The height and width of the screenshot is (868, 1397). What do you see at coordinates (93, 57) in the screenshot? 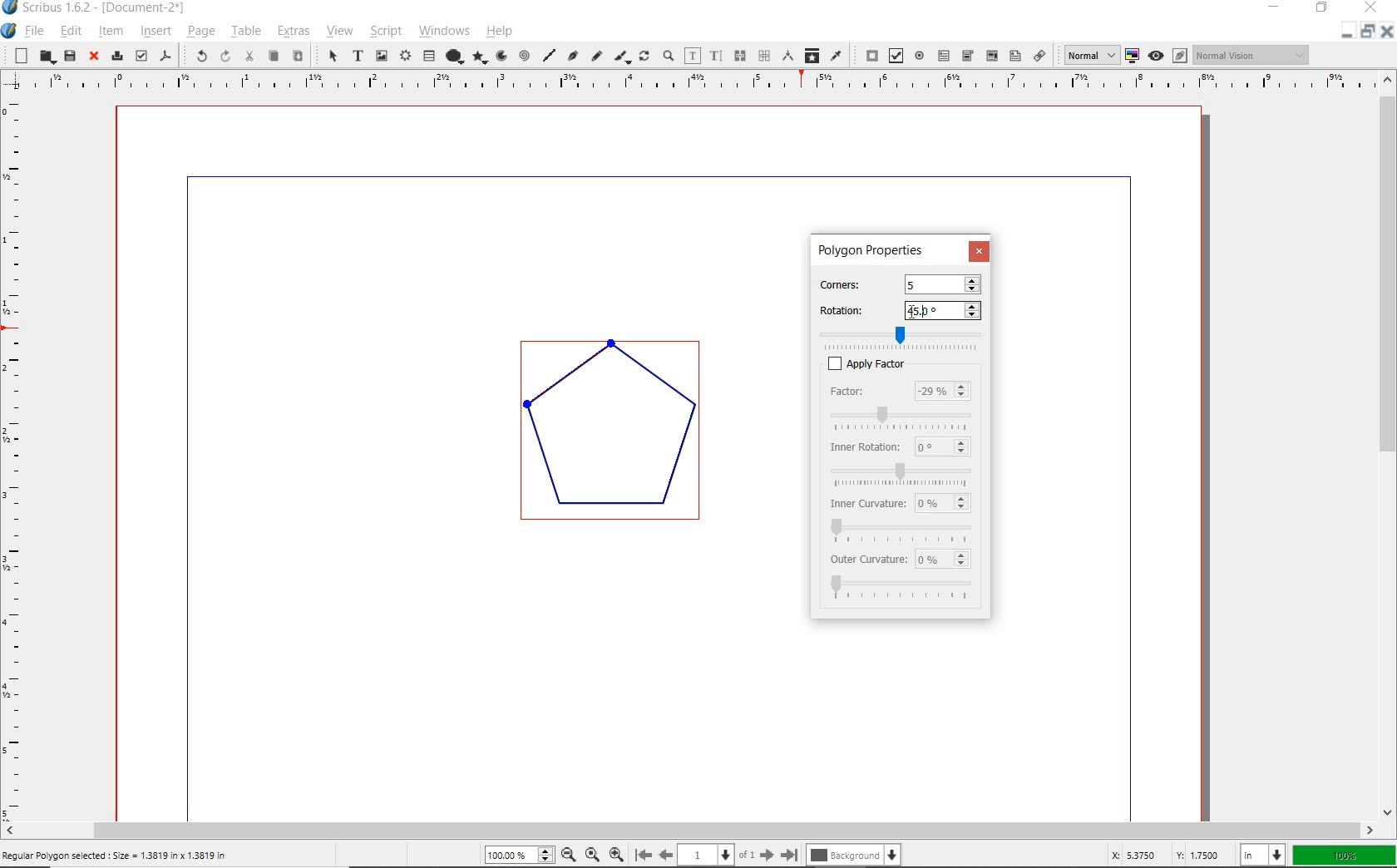
I see `close` at bounding box center [93, 57].